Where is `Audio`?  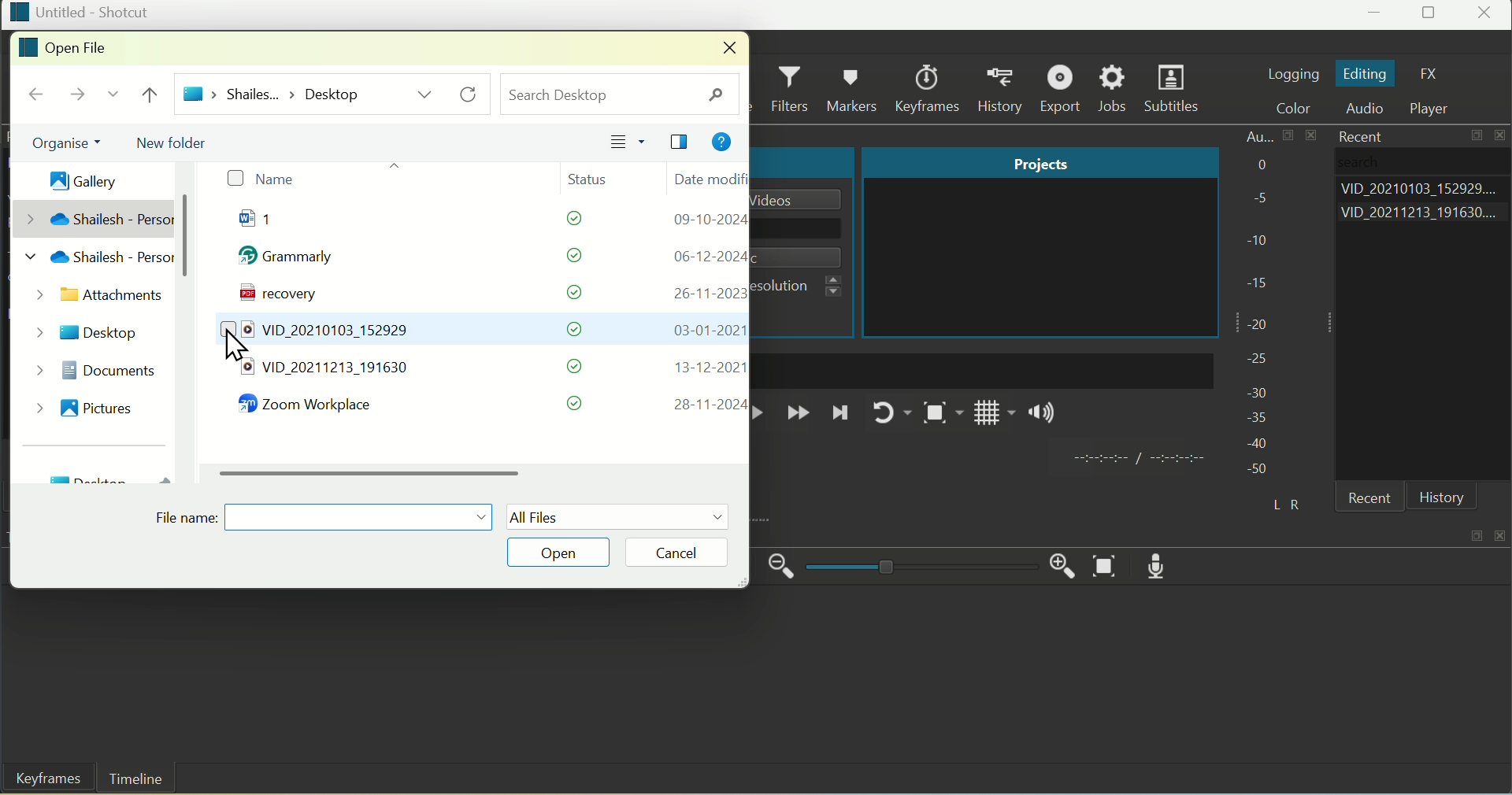 Audio is located at coordinates (1370, 109).